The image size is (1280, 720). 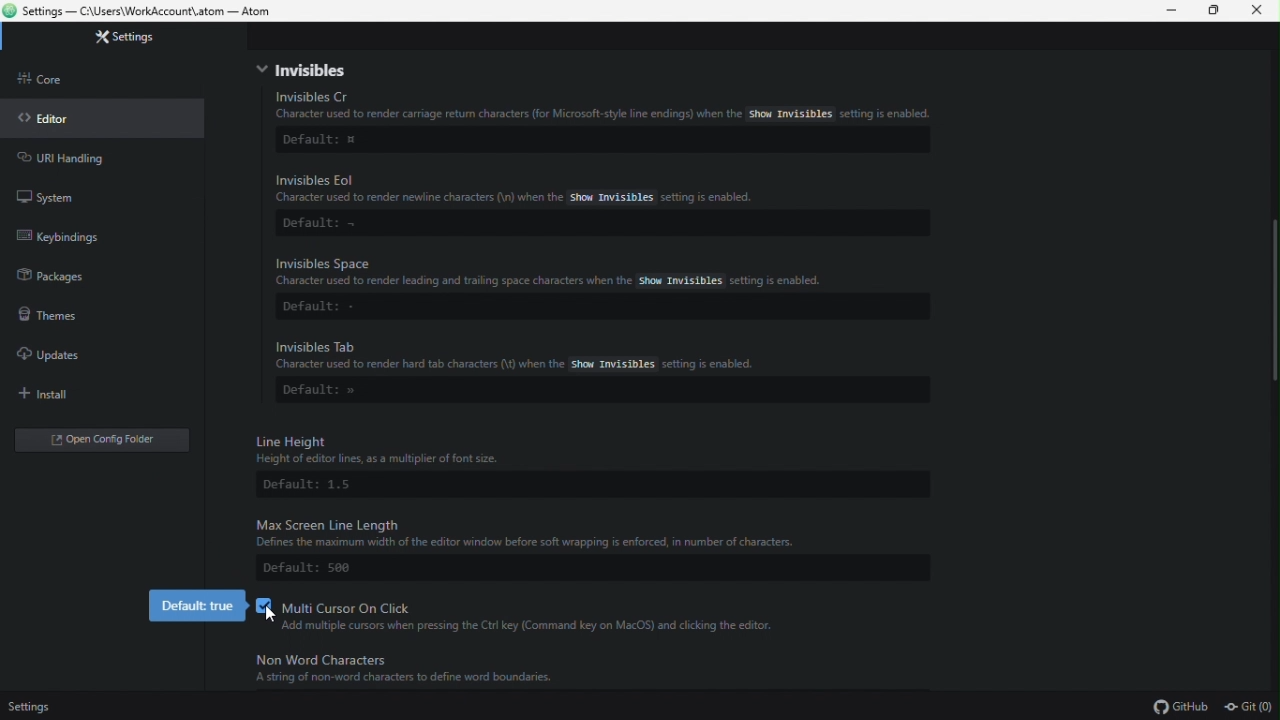 I want to click on Close, so click(x=1262, y=15).